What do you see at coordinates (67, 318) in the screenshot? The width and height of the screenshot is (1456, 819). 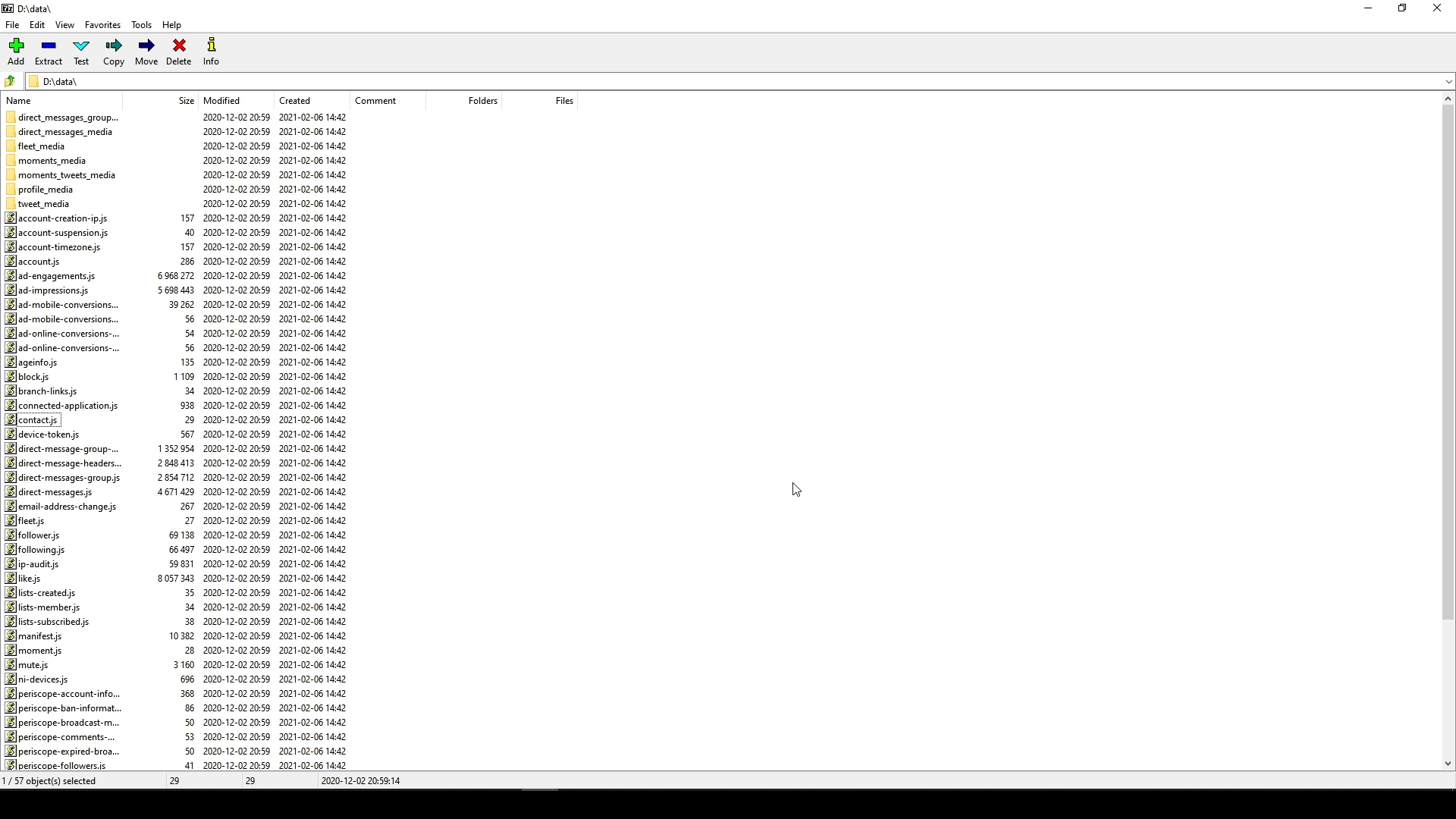 I see `ad-mobile-conversions` at bounding box center [67, 318].